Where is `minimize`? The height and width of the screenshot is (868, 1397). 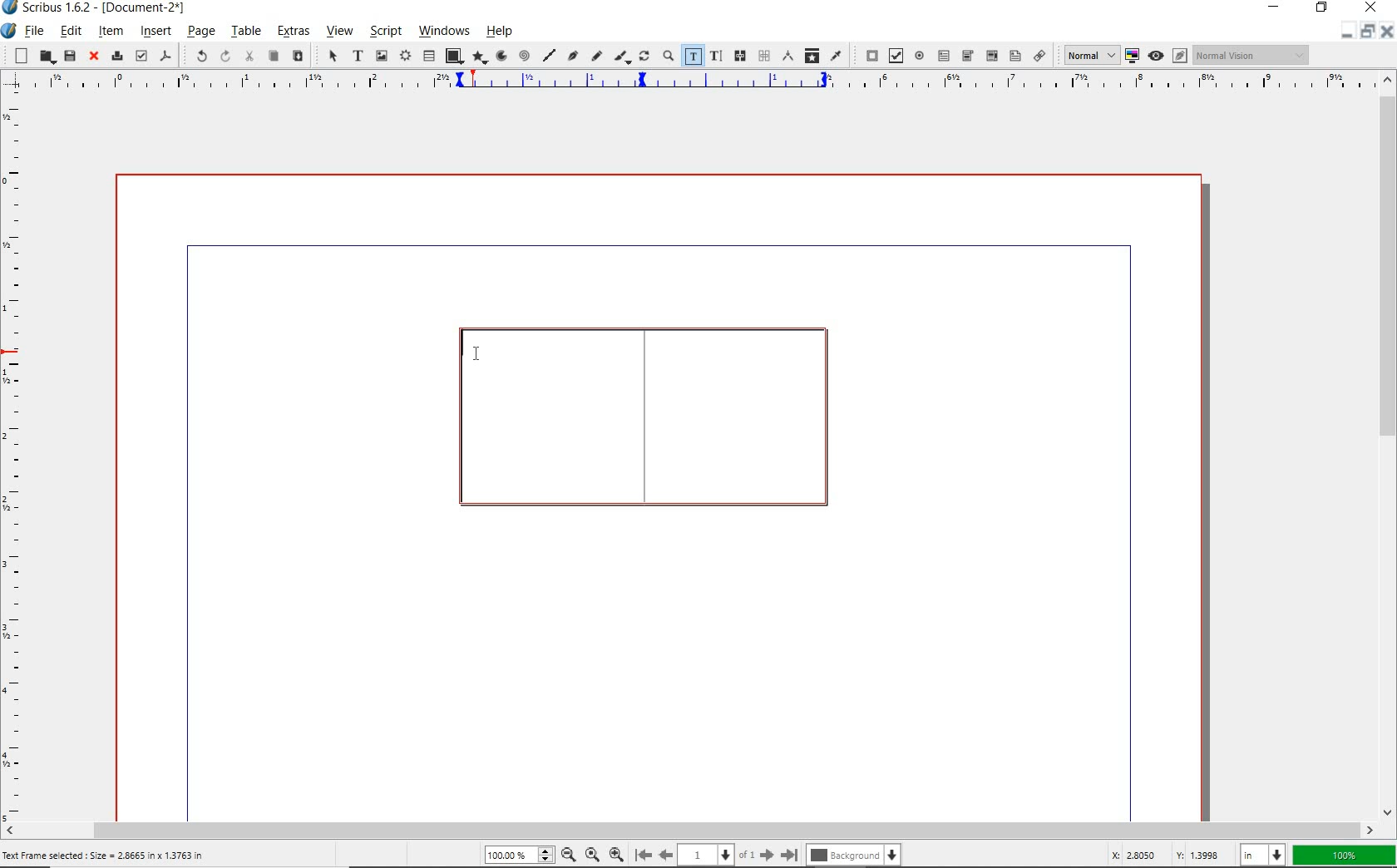
minimize is located at coordinates (1276, 8).